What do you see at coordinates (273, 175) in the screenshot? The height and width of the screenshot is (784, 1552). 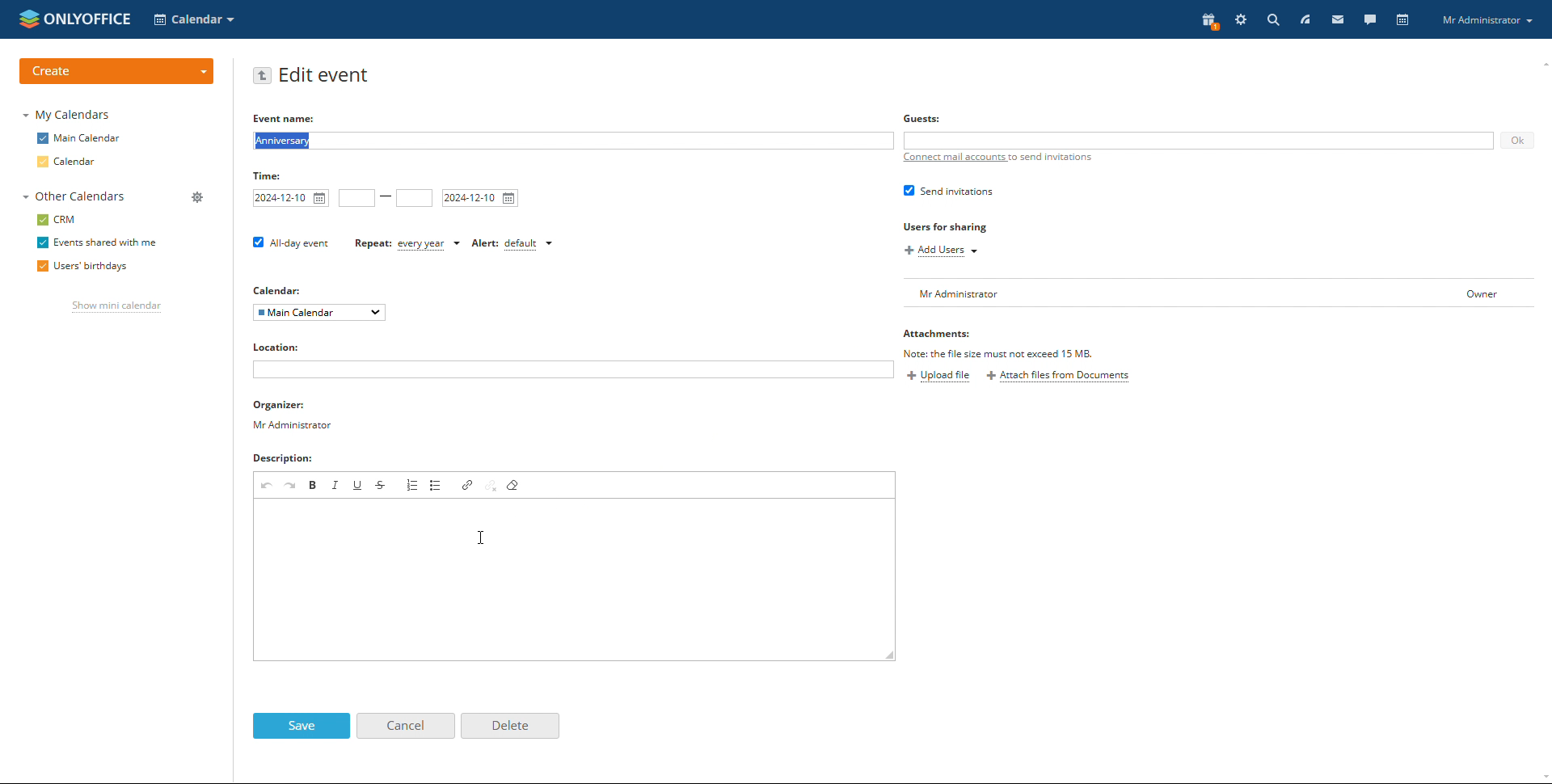 I see `Time:` at bounding box center [273, 175].